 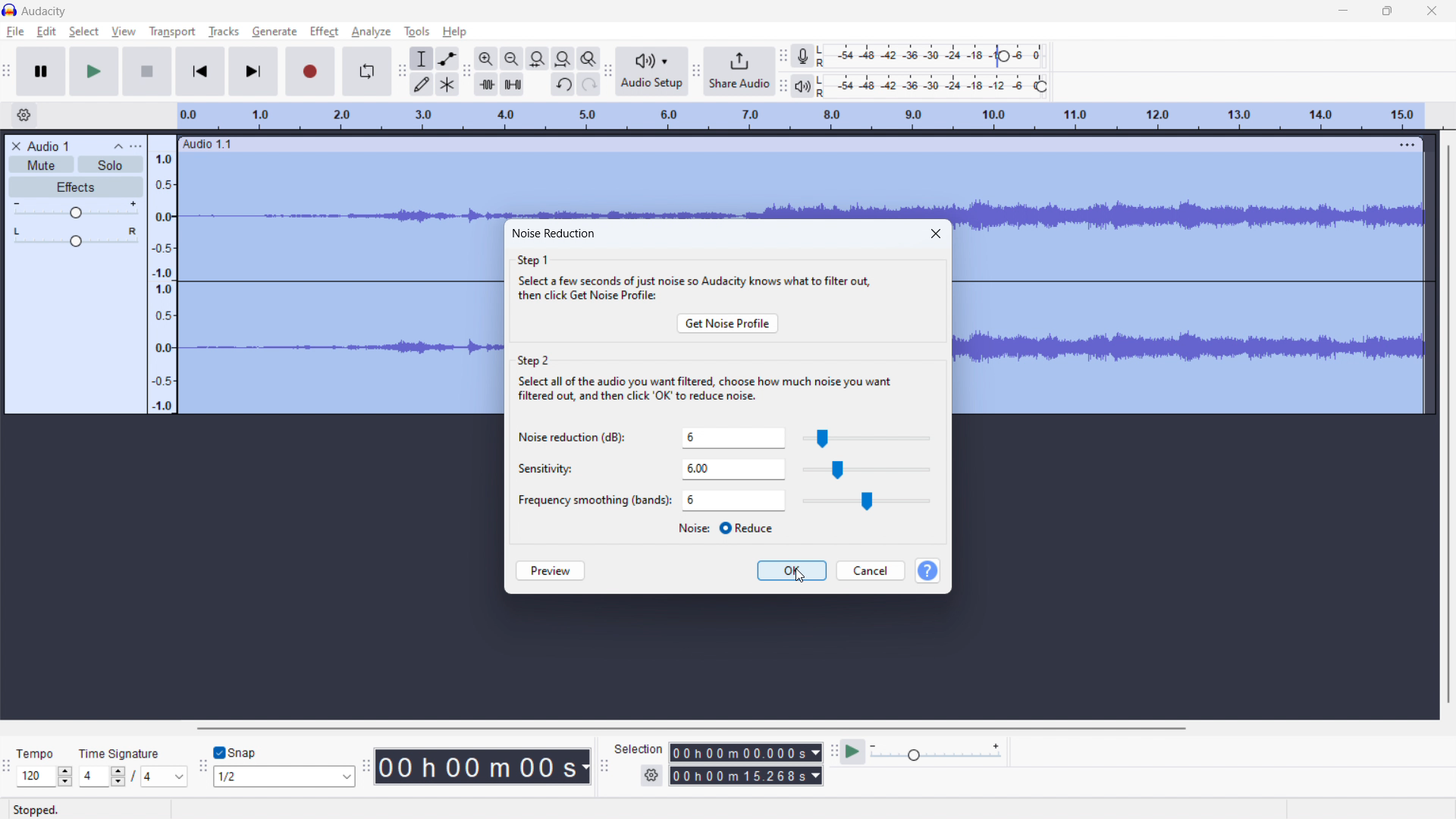 I want to click on zoom in, so click(x=485, y=59).